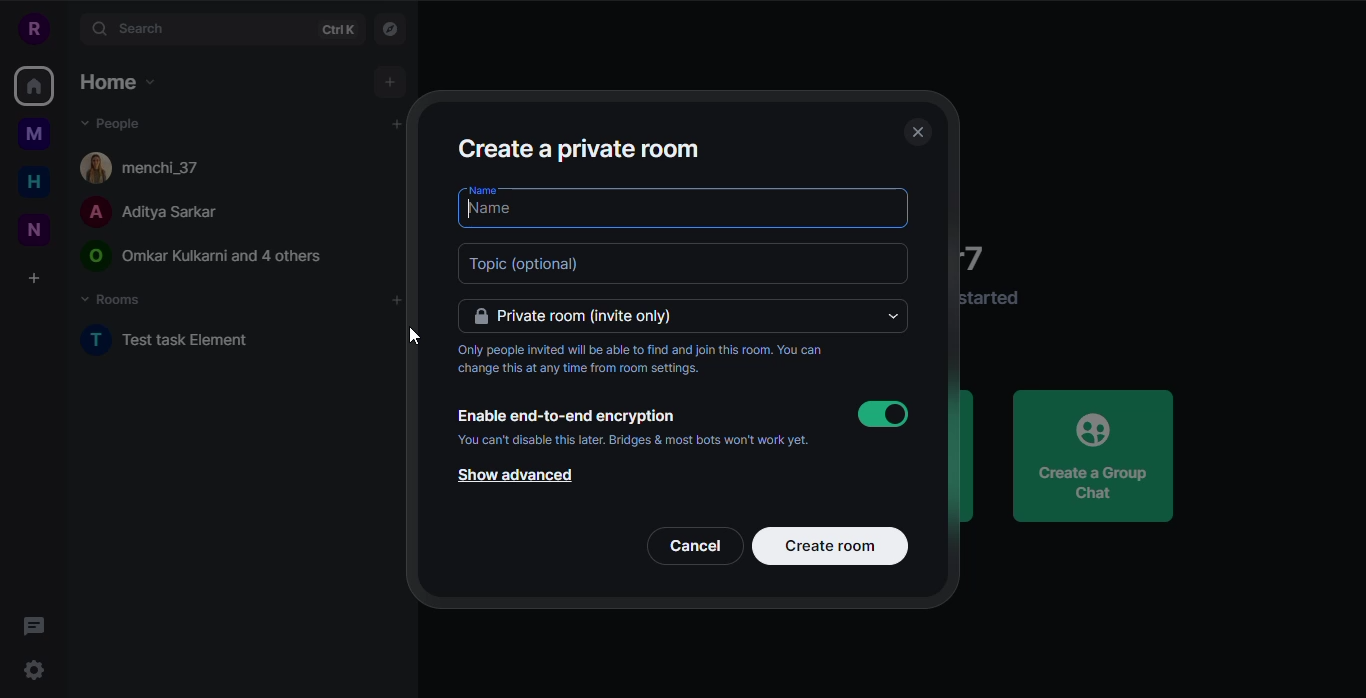 The width and height of the screenshot is (1366, 698). What do you see at coordinates (204, 257) in the screenshot?
I see `people` at bounding box center [204, 257].